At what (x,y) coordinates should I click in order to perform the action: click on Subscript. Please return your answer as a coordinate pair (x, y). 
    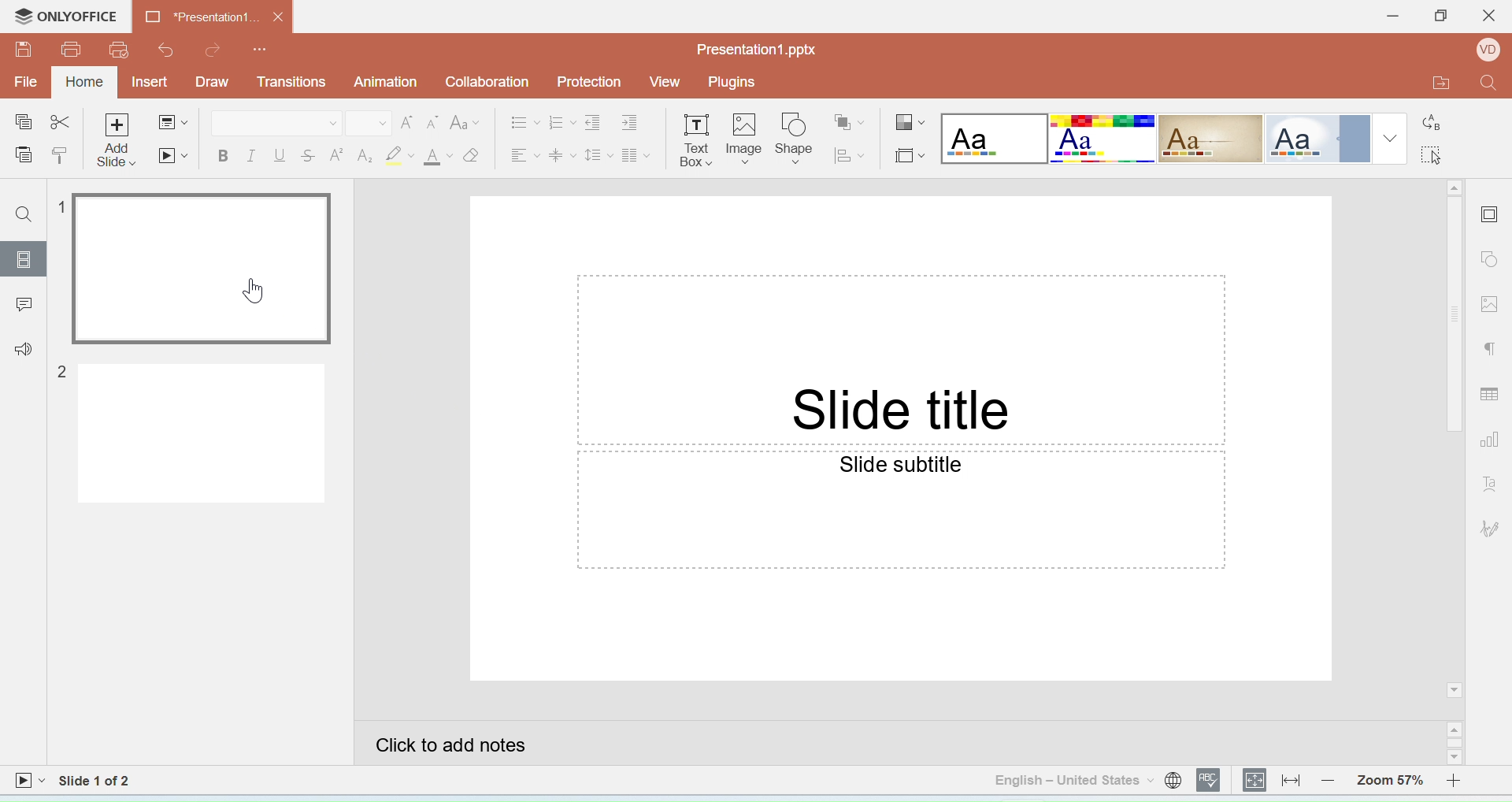
    Looking at the image, I should click on (365, 156).